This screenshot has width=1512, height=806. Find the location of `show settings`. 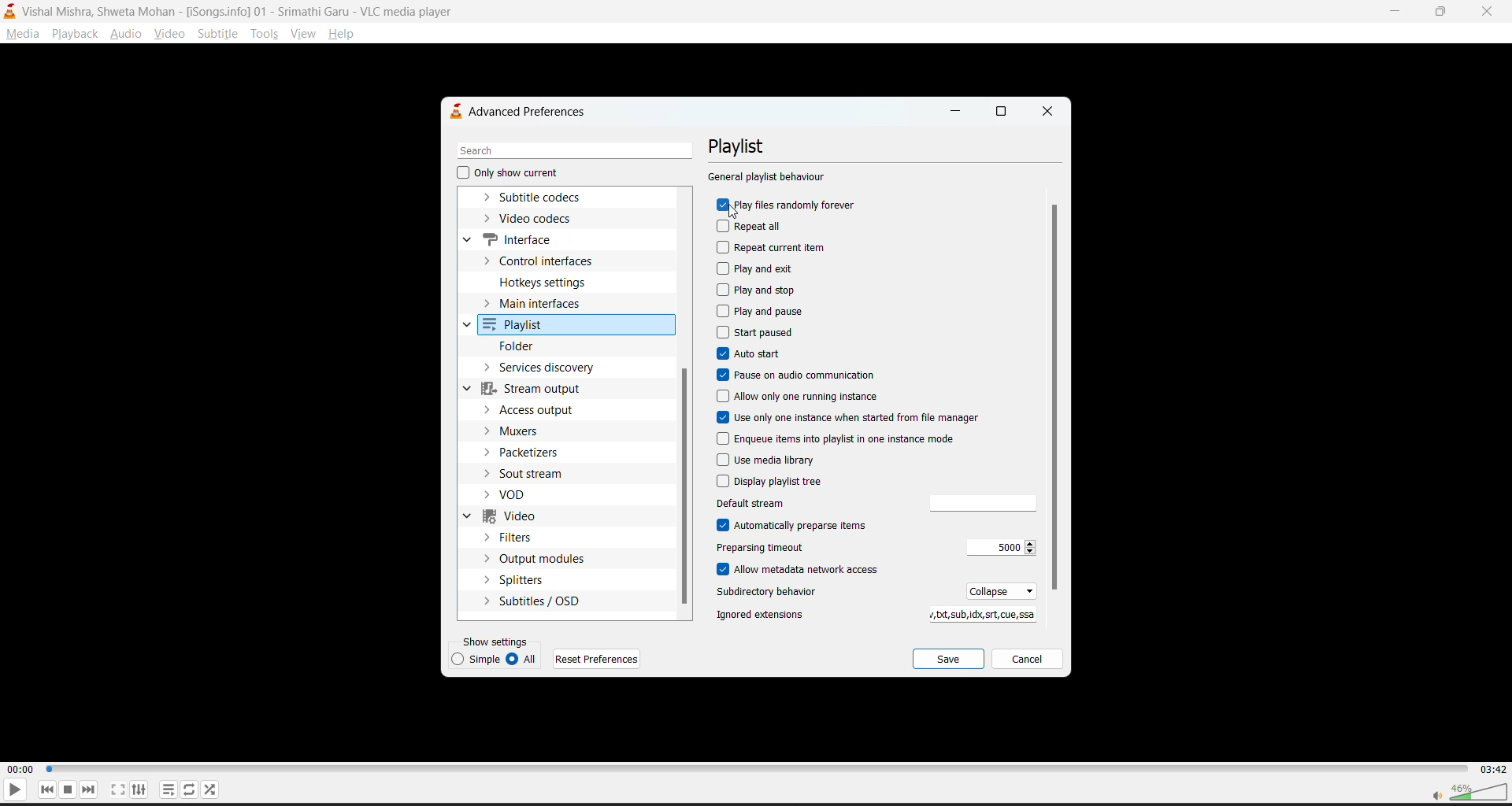

show settings is located at coordinates (495, 642).